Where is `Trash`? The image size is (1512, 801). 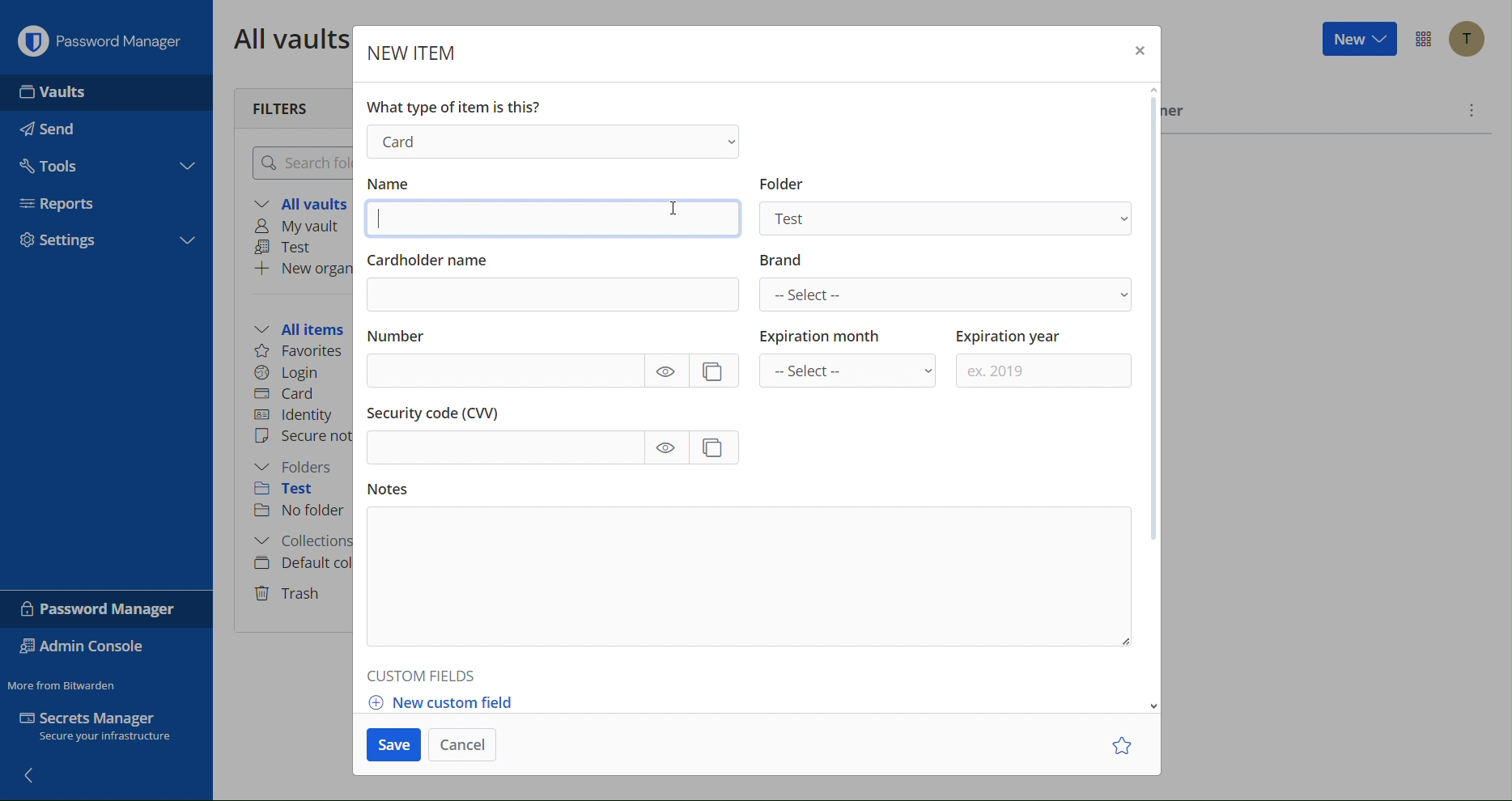
Trash is located at coordinates (291, 595).